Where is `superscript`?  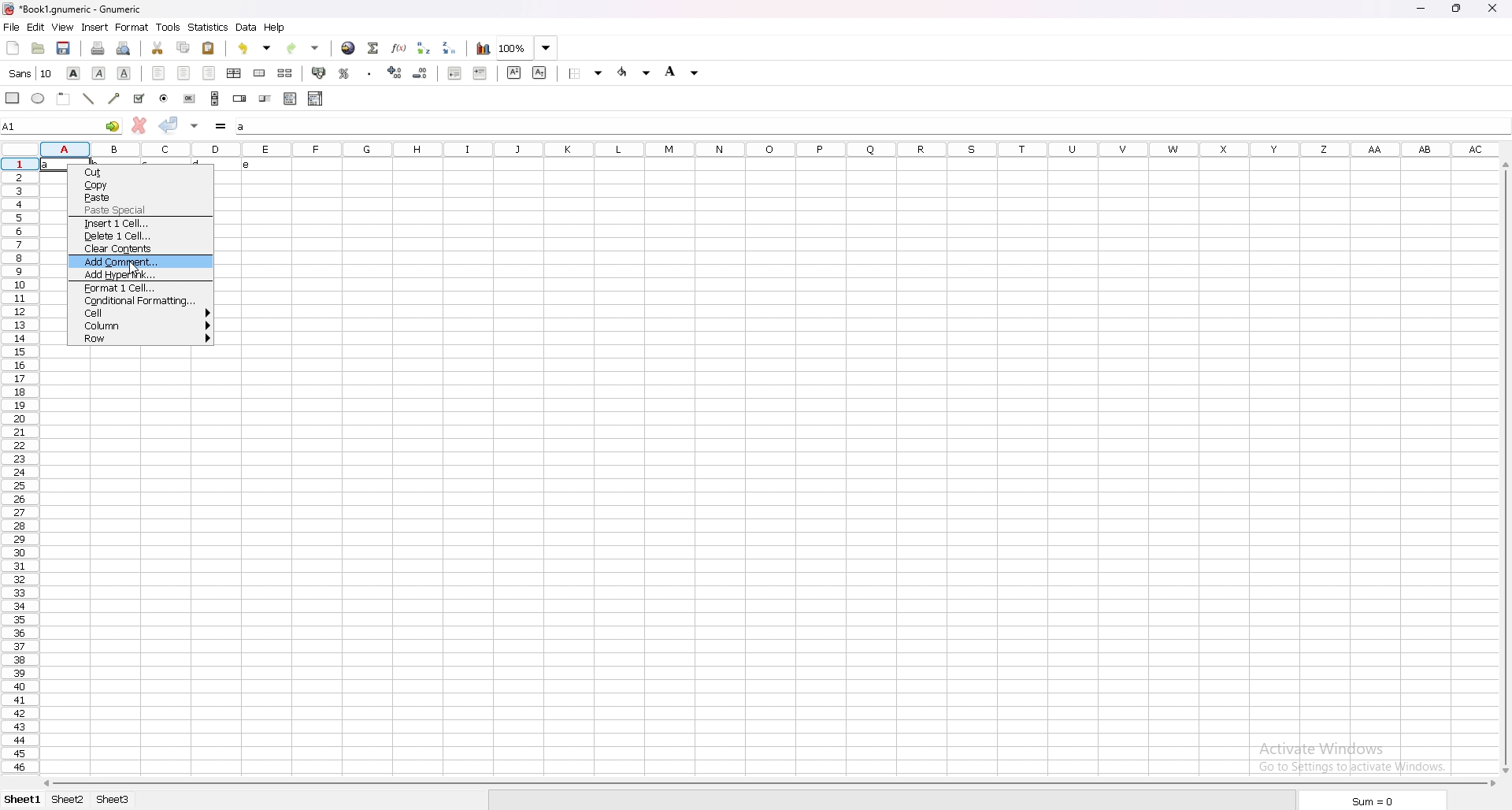
superscript is located at coordinates (515, 73).